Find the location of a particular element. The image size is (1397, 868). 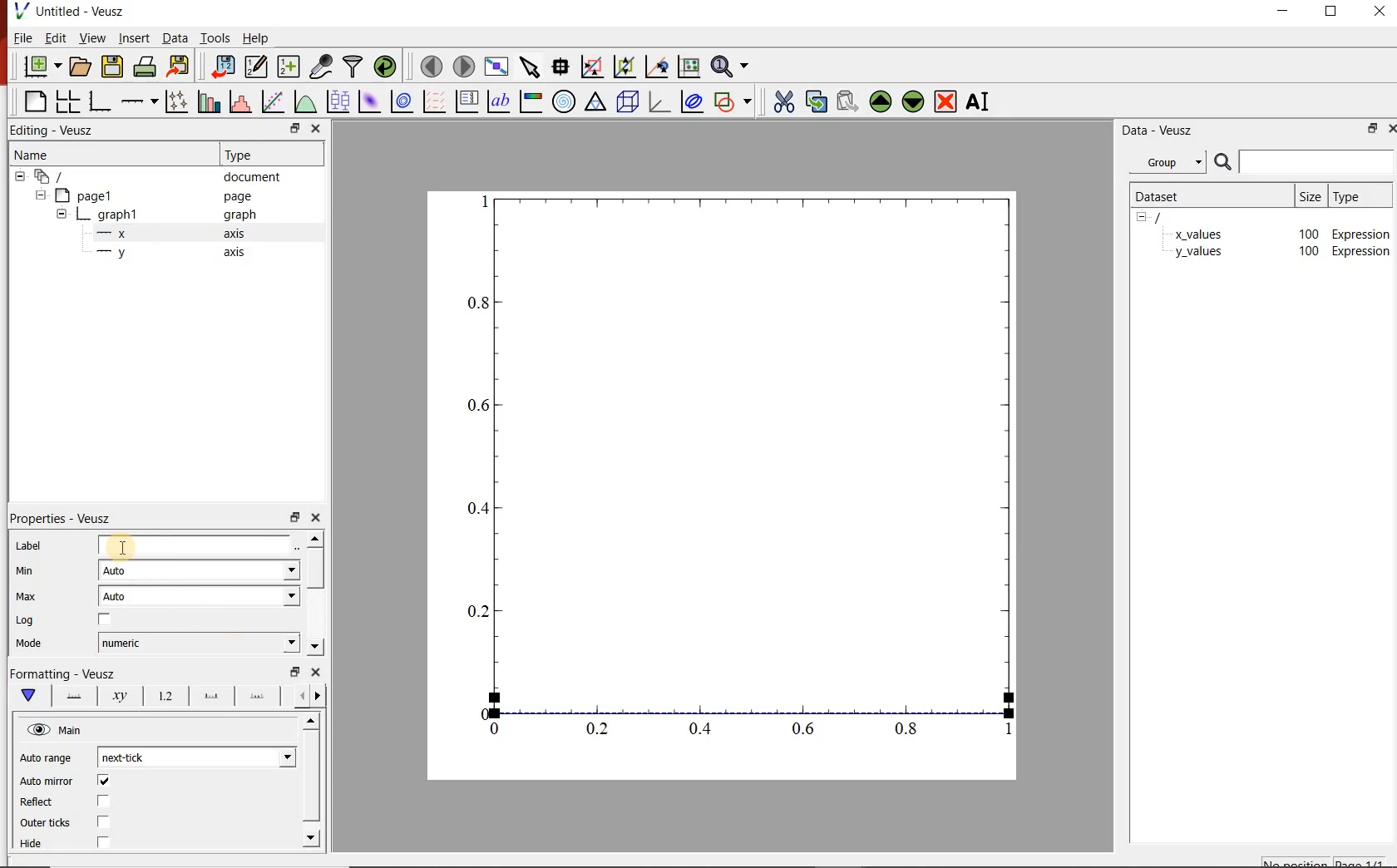

restore down is located at coordinates (1330, 12).